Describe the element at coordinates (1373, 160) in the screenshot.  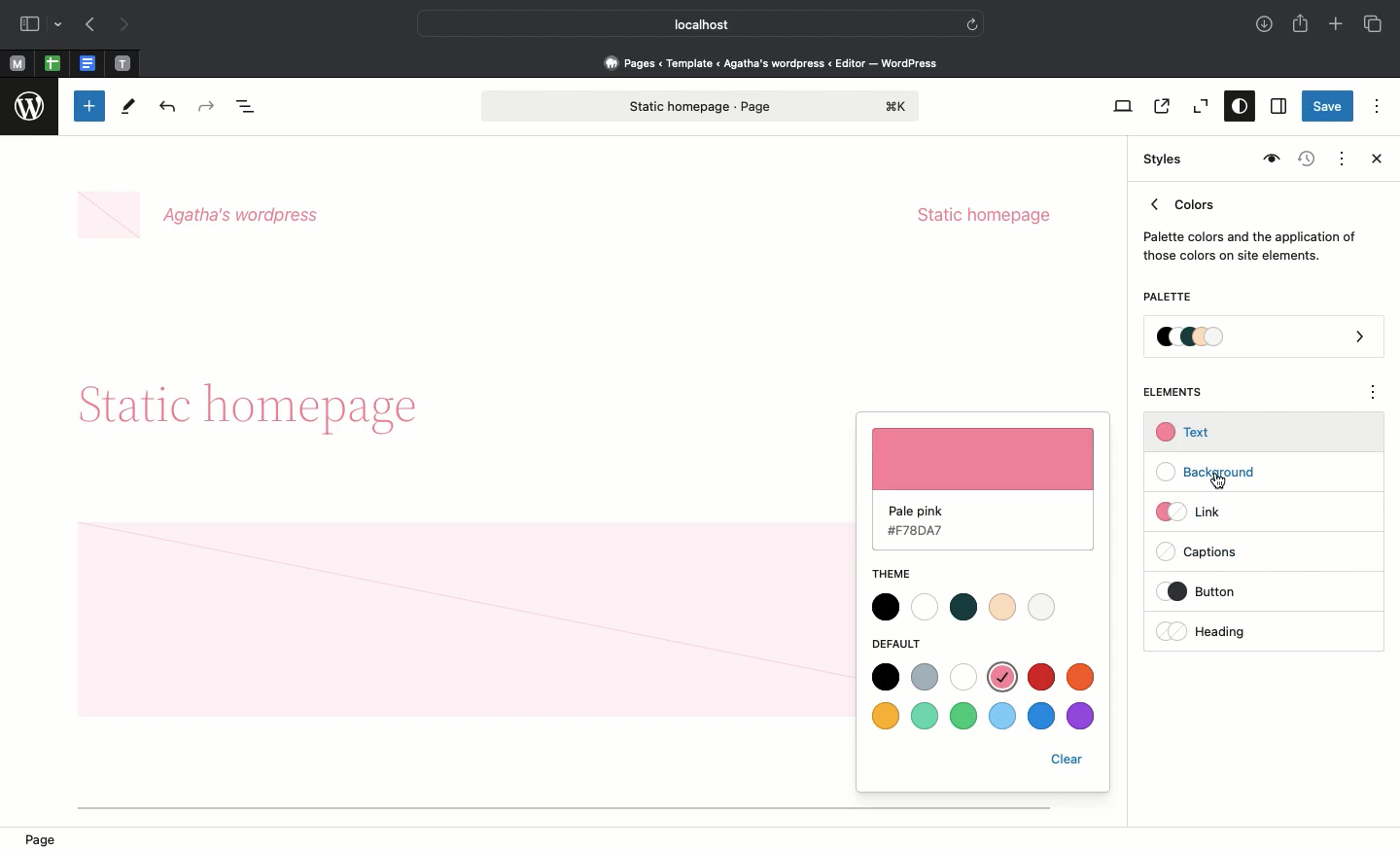
I see `Close` at that location.